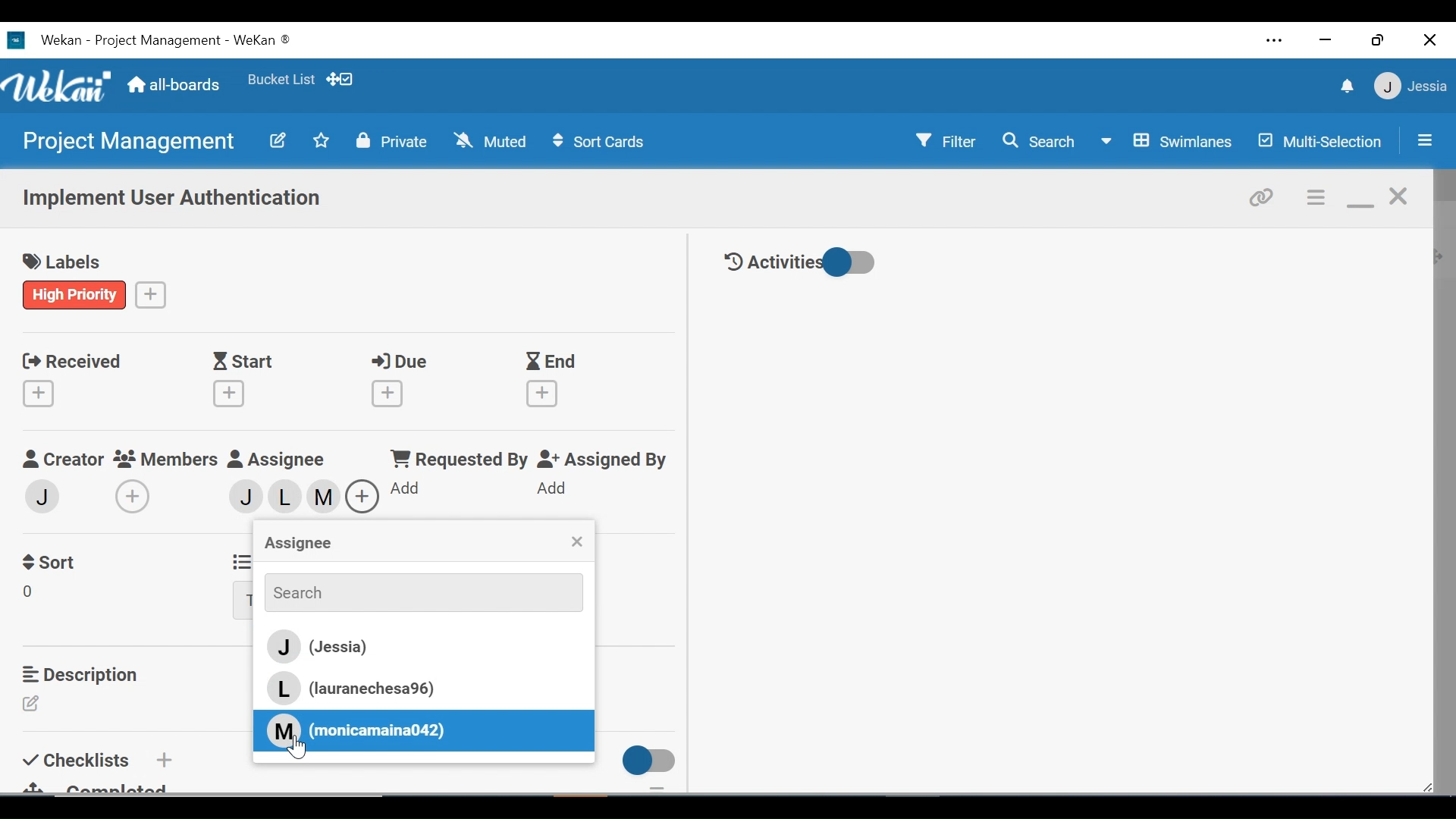 This screenshot has width=1456, height=819. I want to click on Copy link to card, so click(1263, 196).